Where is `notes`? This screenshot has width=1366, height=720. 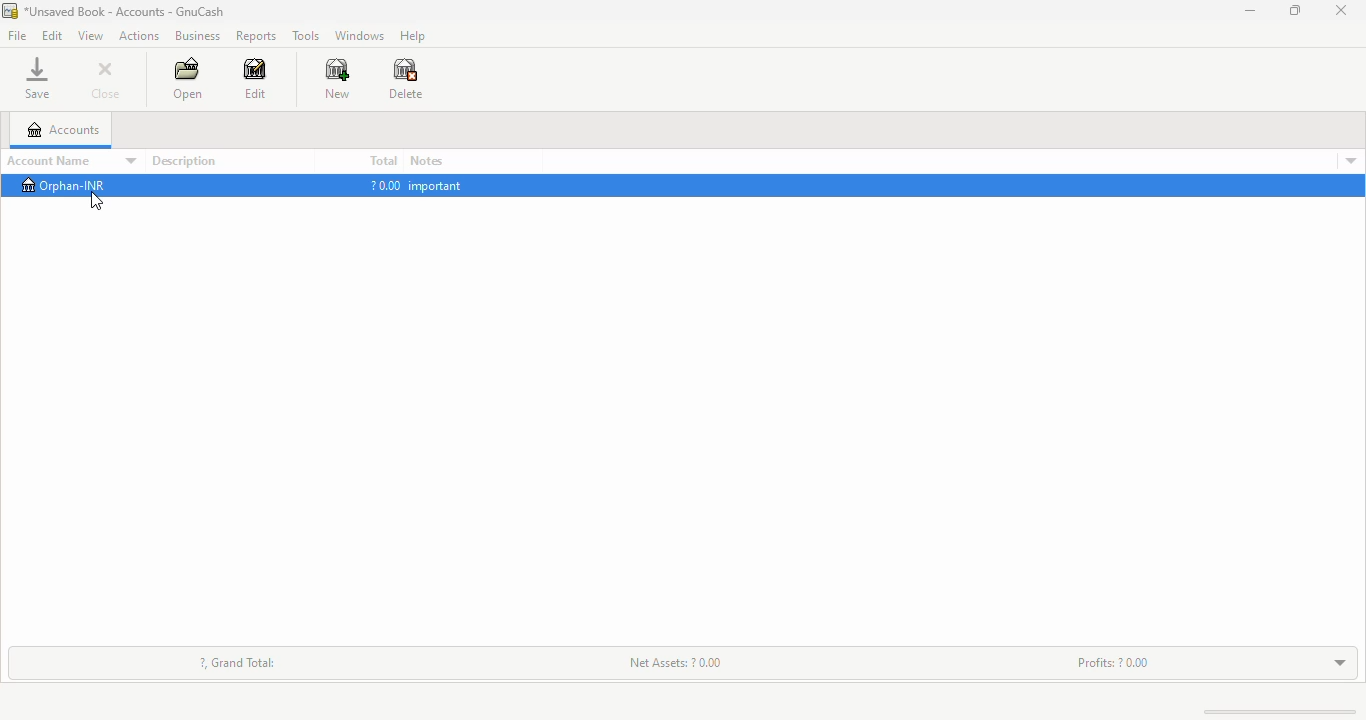 notes is located at coordinates (427, 160).